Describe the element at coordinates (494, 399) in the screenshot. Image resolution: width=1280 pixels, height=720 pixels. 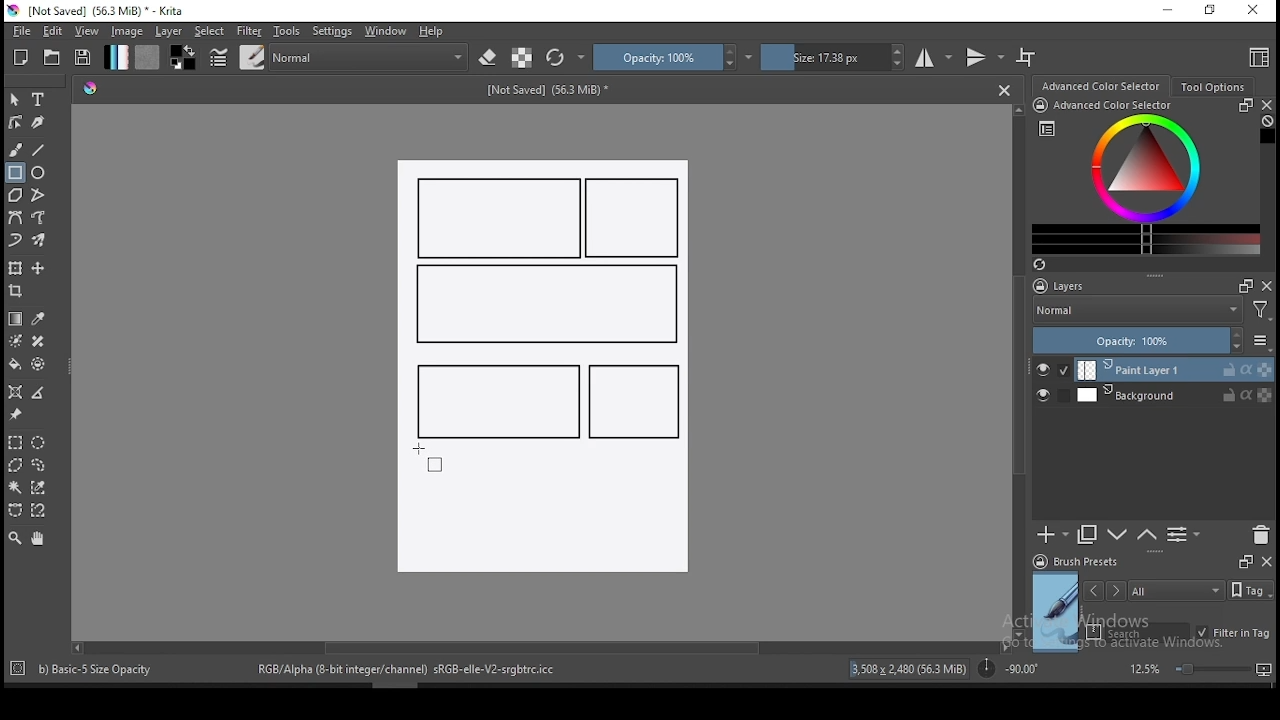
I see `new rectangle` at that location.